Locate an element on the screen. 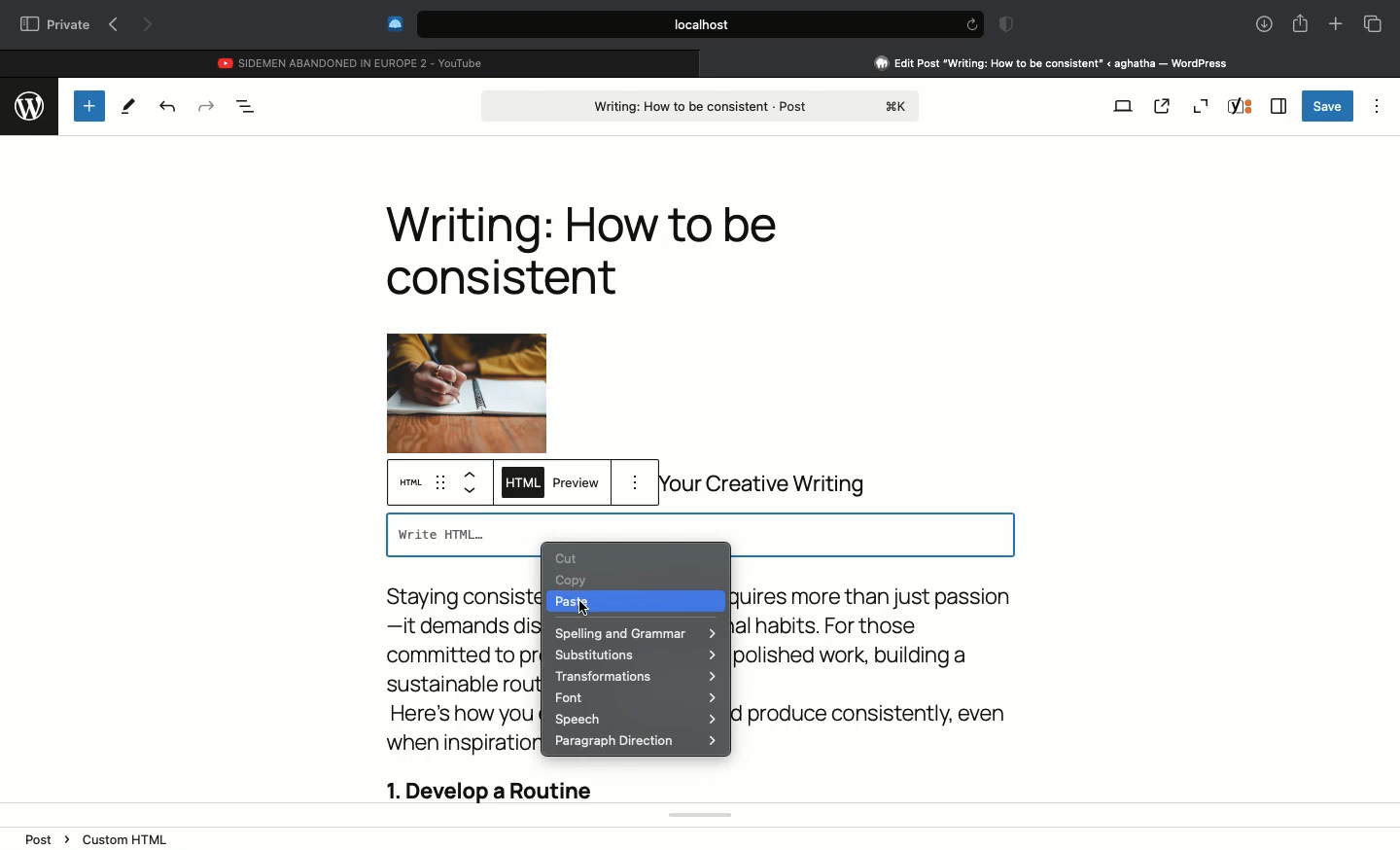 This screenshot has height=850, width=1400. Post is located at coordinates (703, 104).